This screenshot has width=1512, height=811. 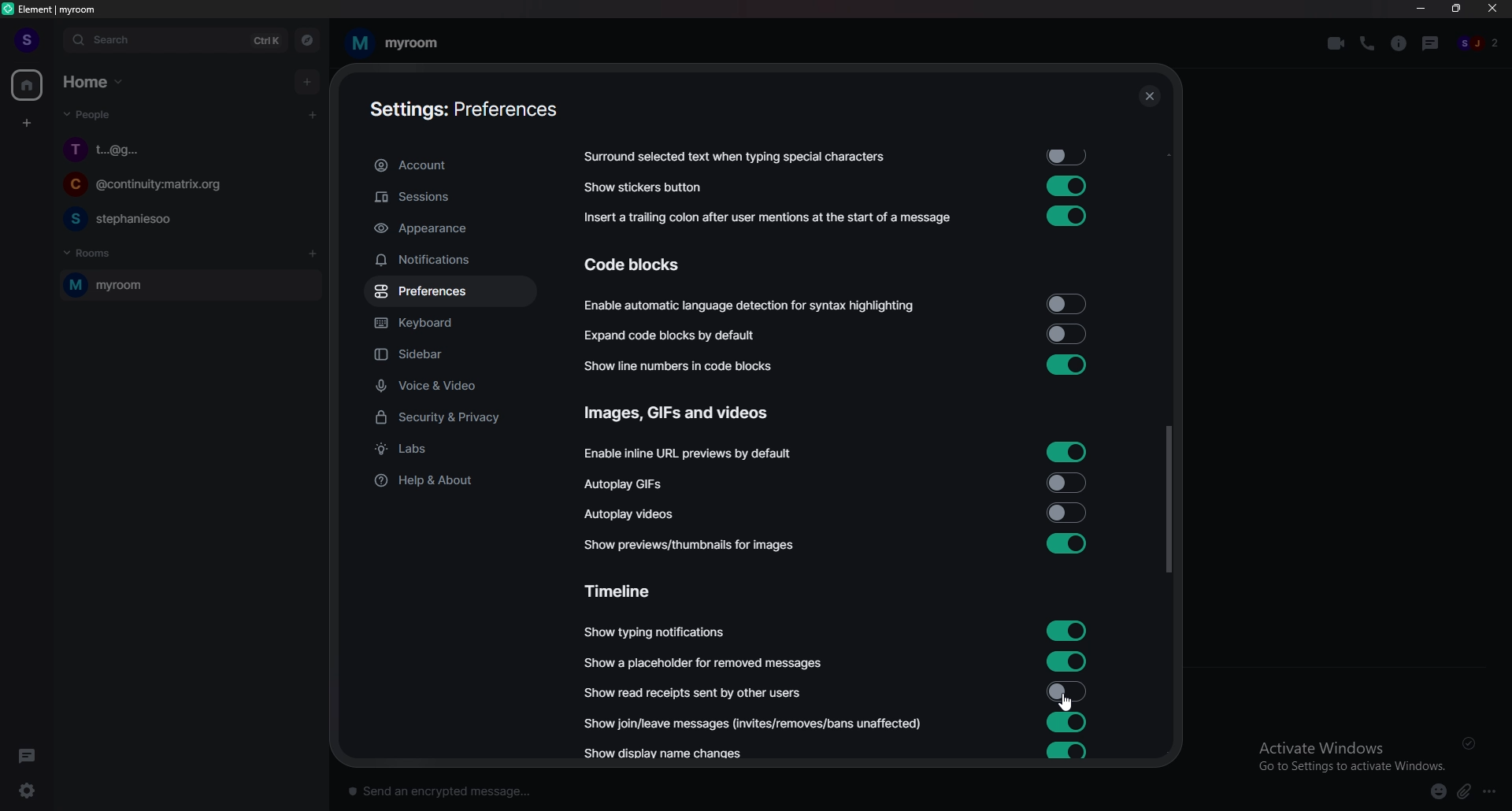 I want to click on cursor, so click(x=1065, y=702).